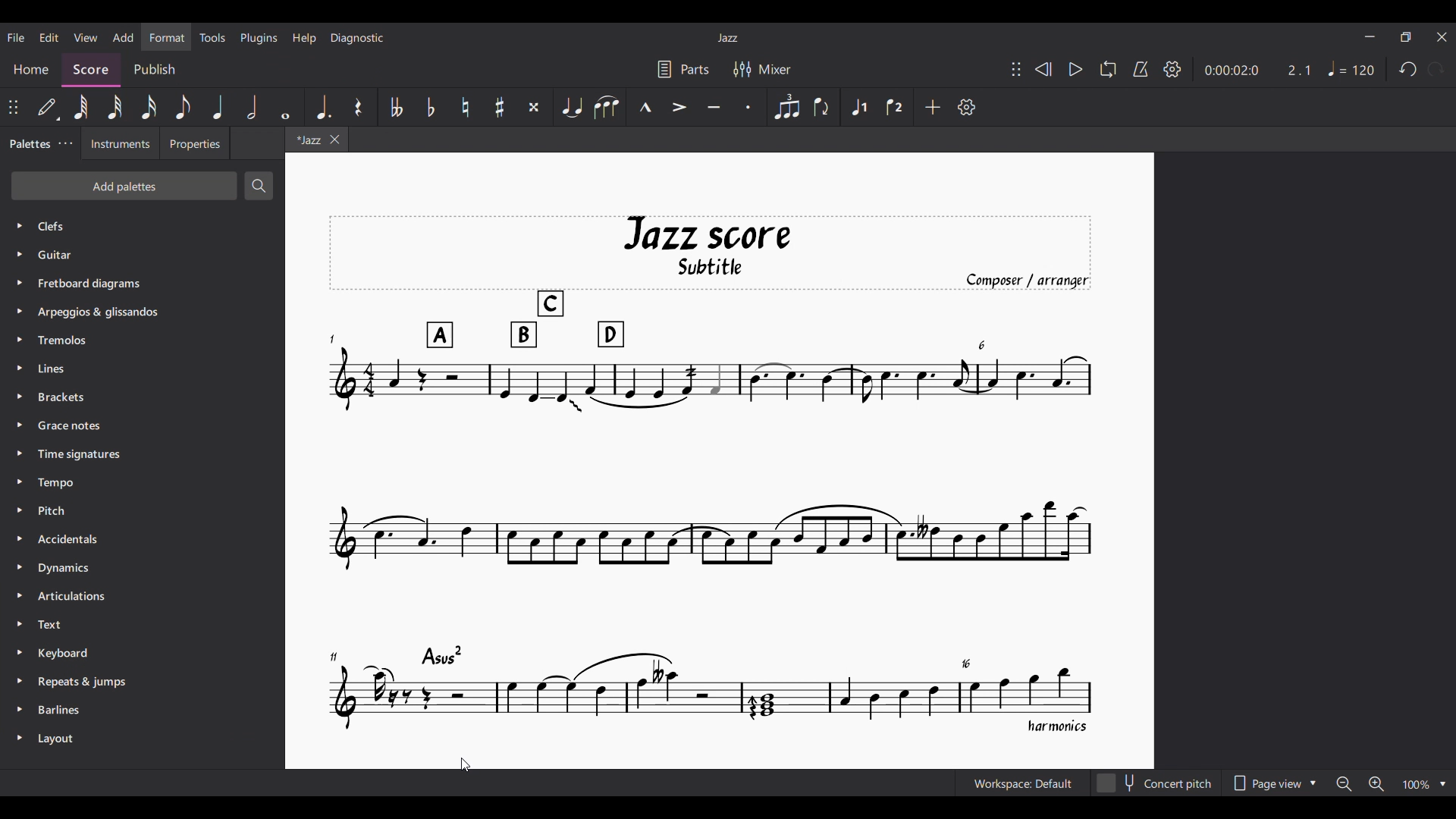 This screenshot has height=819, width=1456. I want to click on 8th note, so click(183, 107).